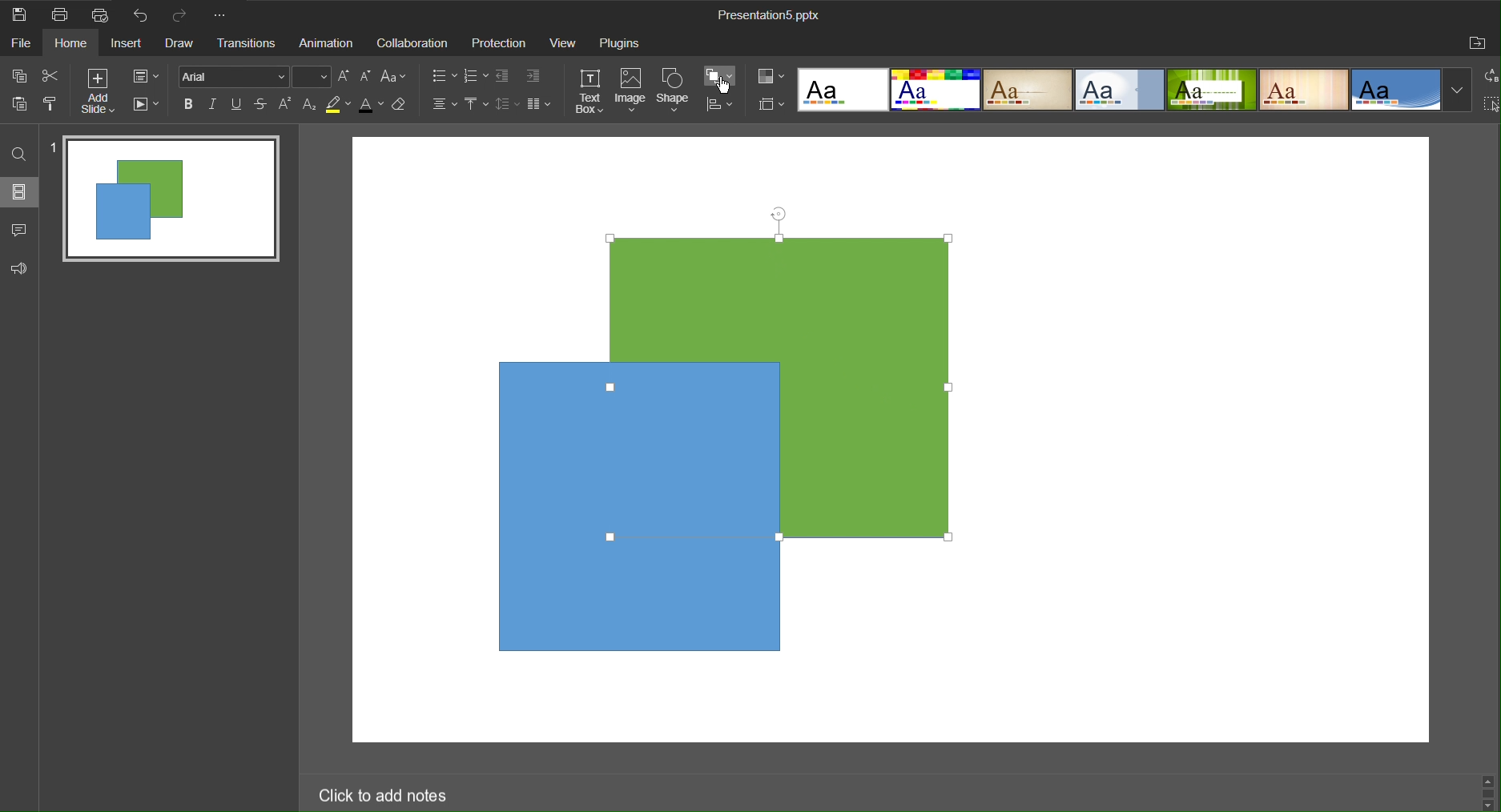 The height and width of the screenshot is (812, 1501). I want to click on Subscript, so click(309, 105).